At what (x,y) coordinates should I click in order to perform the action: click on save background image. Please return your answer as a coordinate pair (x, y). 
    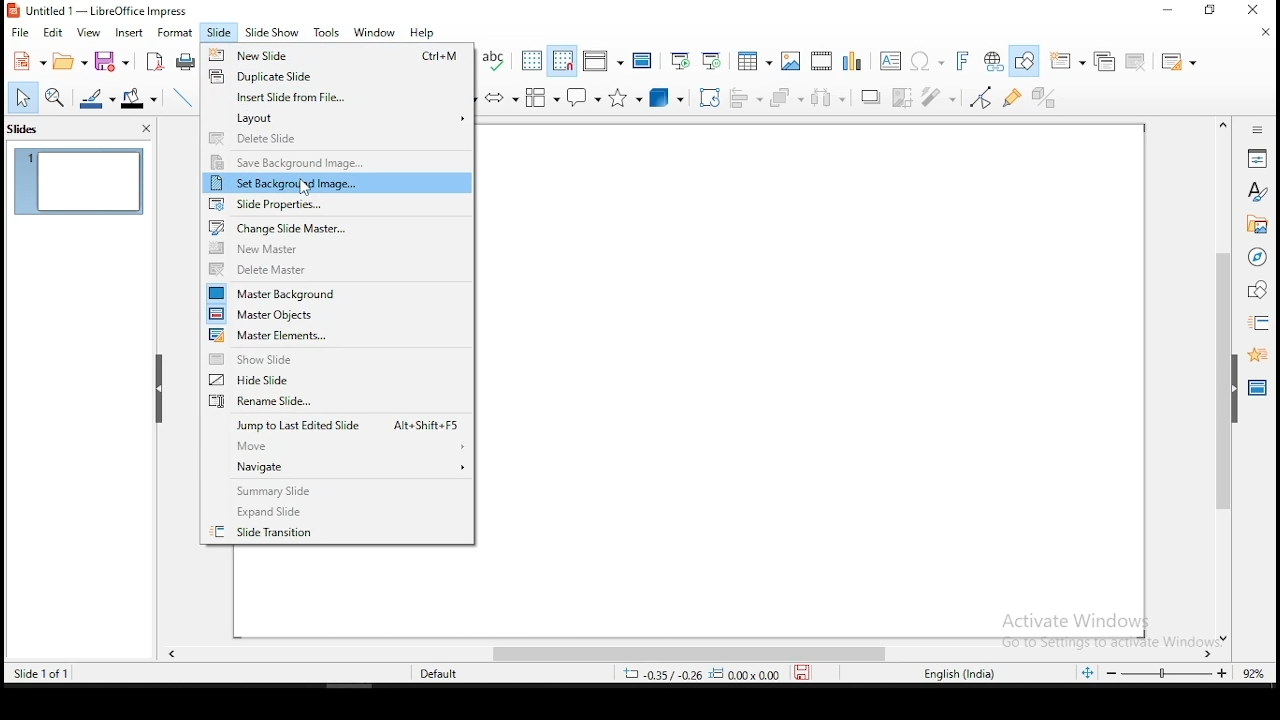
    Looking at the image, I should click on (337, 162).